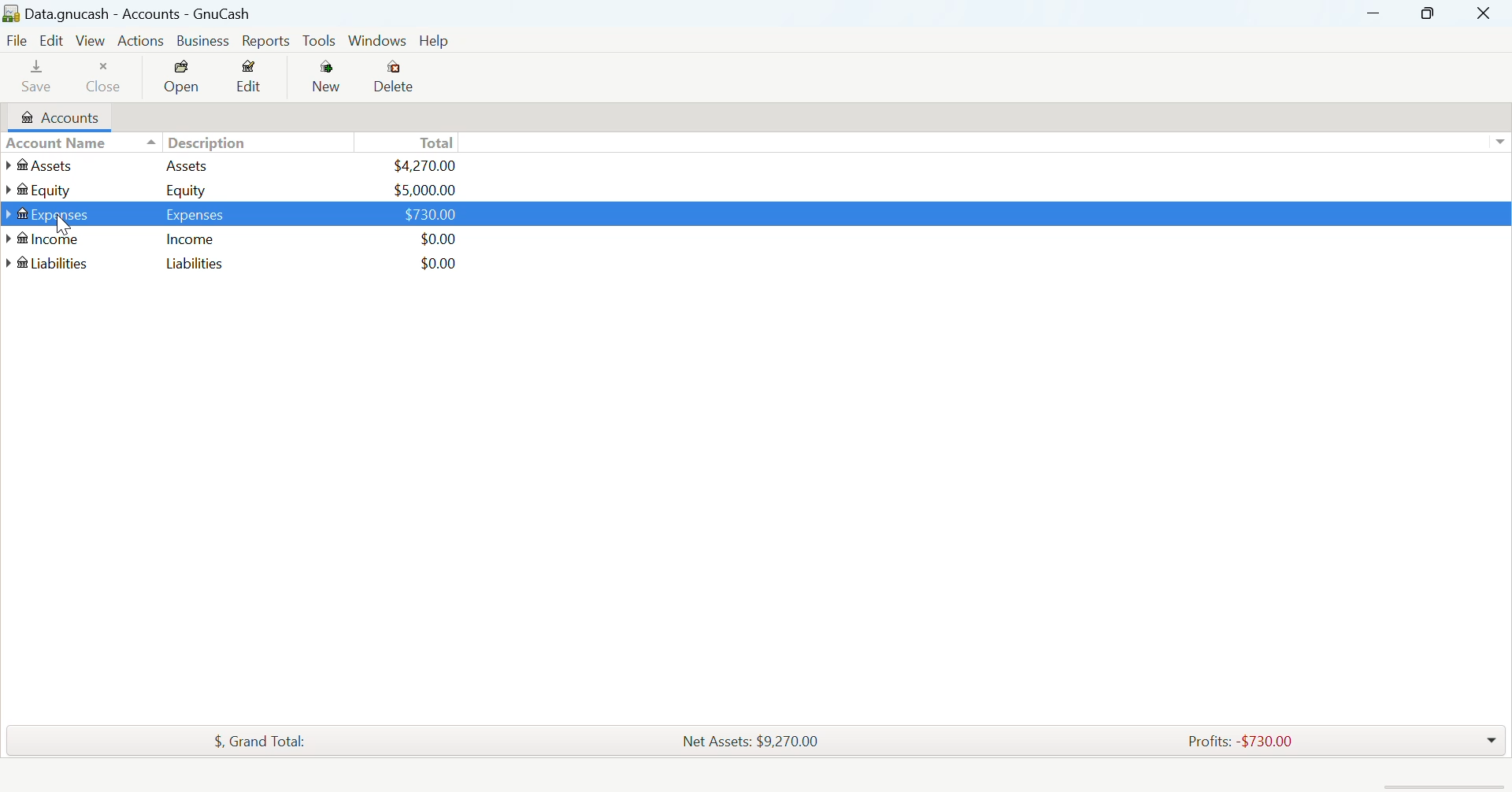 This screenshot has width=1512, height=792. What do you see at coordinates (61, 218) in the screenshot?
I see `Cursor Position` at bounding box center [61, 218].